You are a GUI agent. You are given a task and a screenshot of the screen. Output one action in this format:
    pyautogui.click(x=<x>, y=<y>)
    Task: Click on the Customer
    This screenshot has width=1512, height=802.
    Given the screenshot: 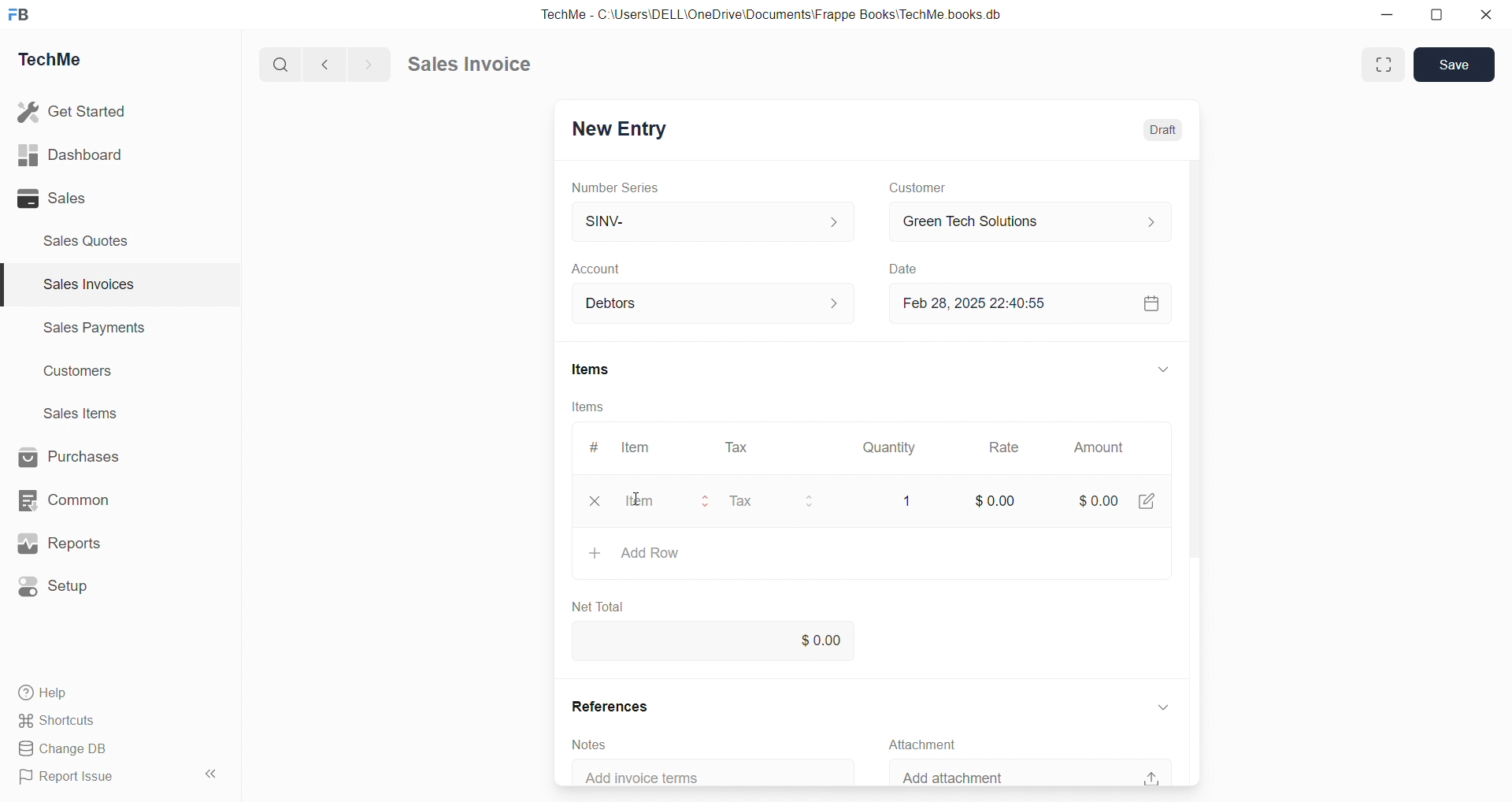 What is the action you would take?
    pyautogui.click(x=918, y=188)
    